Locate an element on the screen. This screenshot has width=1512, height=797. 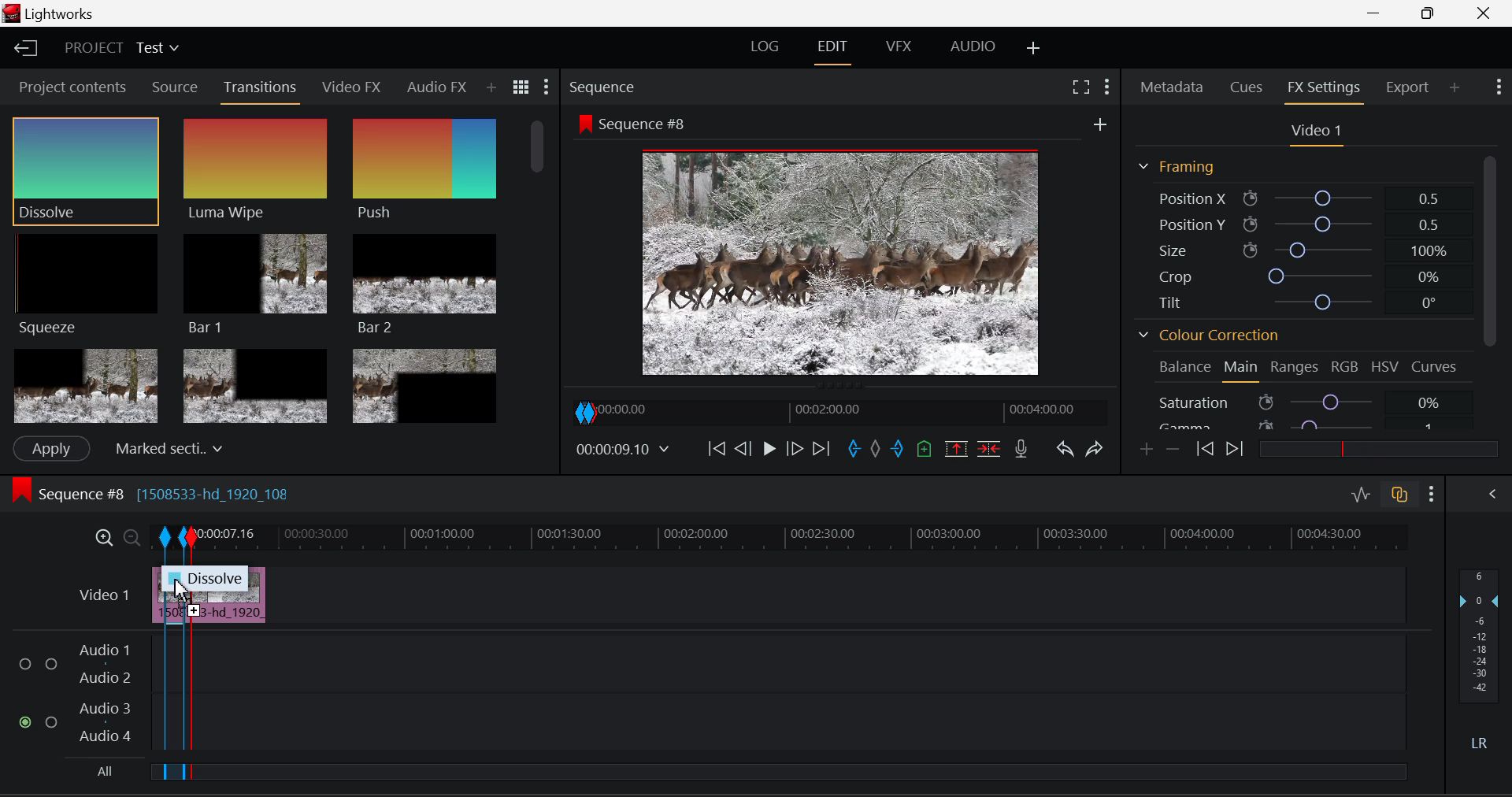
Decibel Level is located at coordinates (1482, 662).